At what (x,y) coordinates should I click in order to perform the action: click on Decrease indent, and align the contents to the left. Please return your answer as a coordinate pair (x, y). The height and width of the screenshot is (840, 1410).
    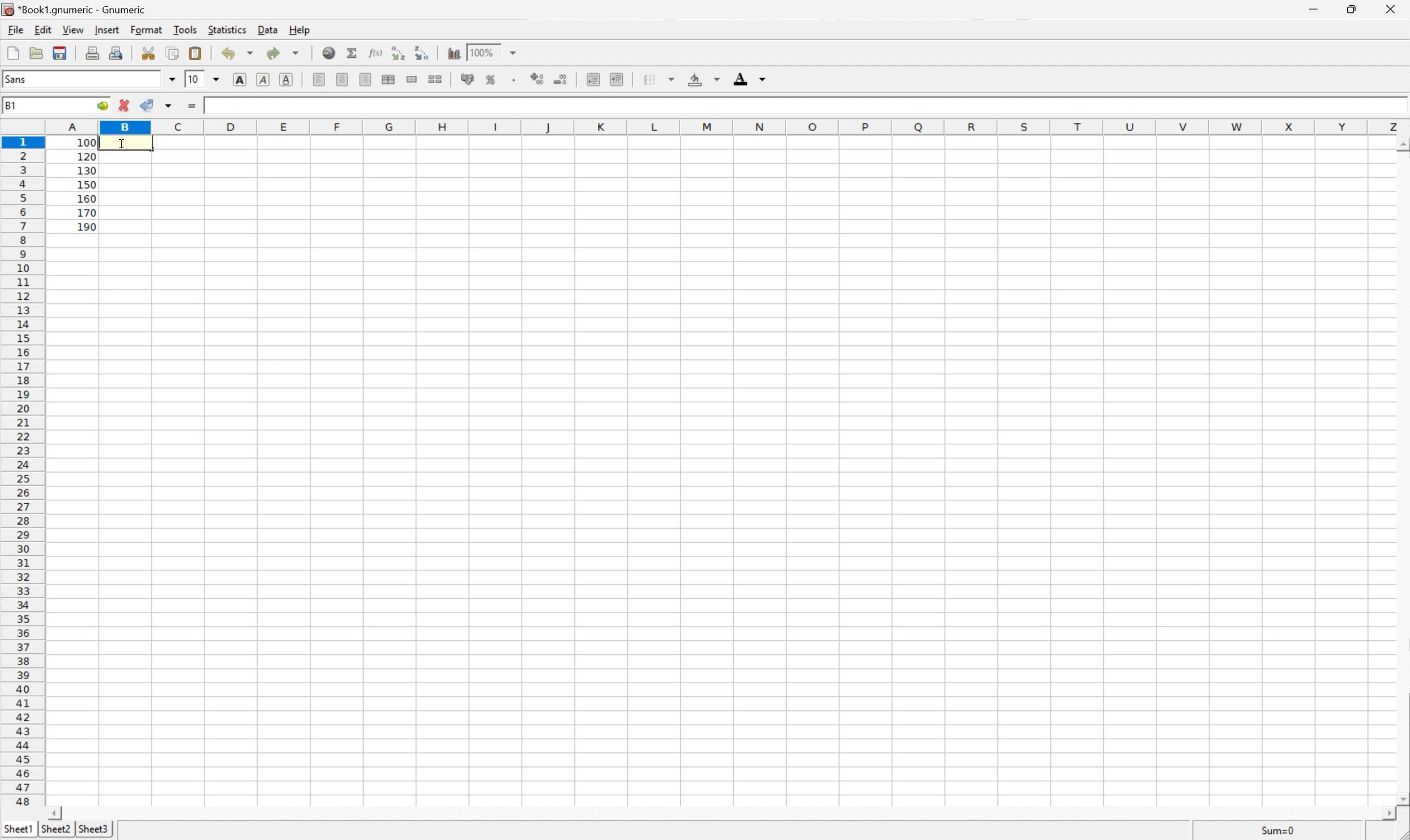
    Looking at the image, I should click on (592, 79).